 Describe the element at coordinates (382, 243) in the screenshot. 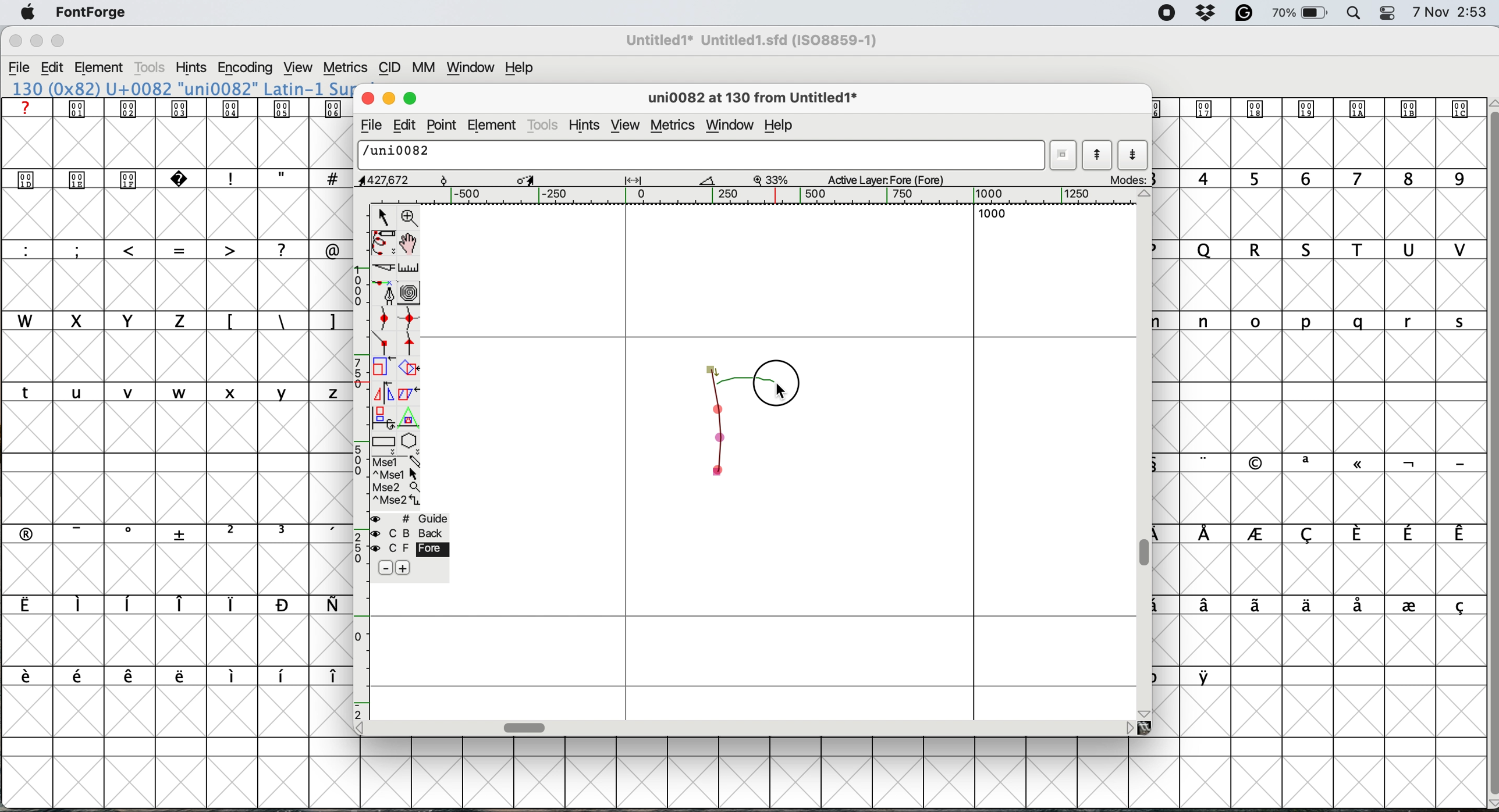

I see `draw freehand curve` at that location.